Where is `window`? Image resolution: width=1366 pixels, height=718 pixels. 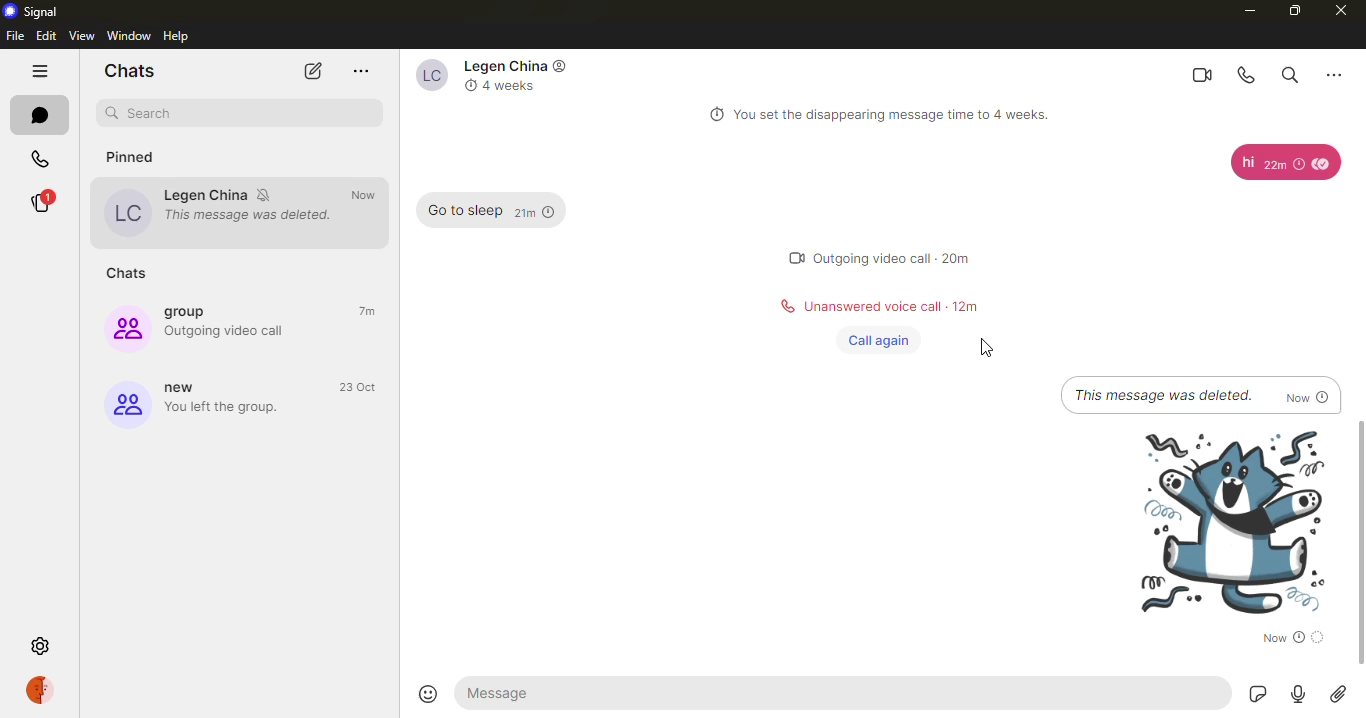 window is located at coordinates (128, 35).